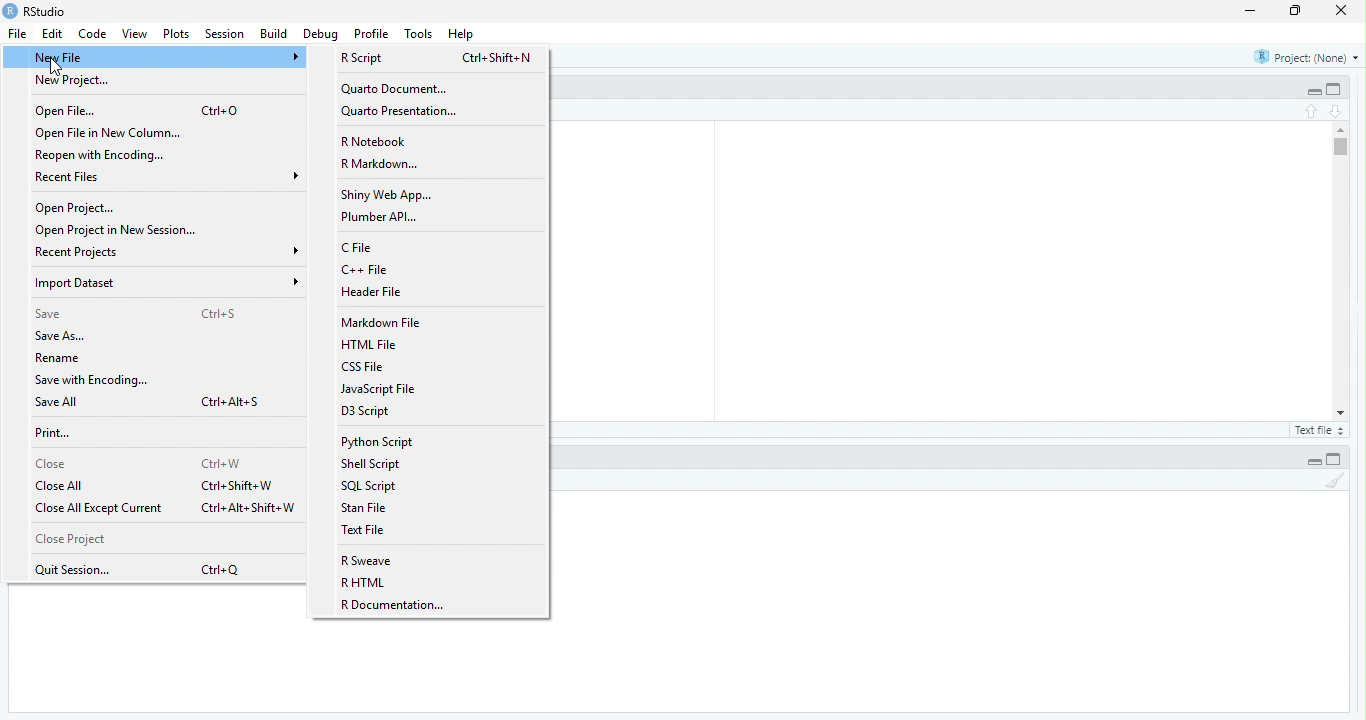 The image size is (1366, 720). Describe the element at coordinates (365, 366) in the screenshot. I see `CSS File` at that location.